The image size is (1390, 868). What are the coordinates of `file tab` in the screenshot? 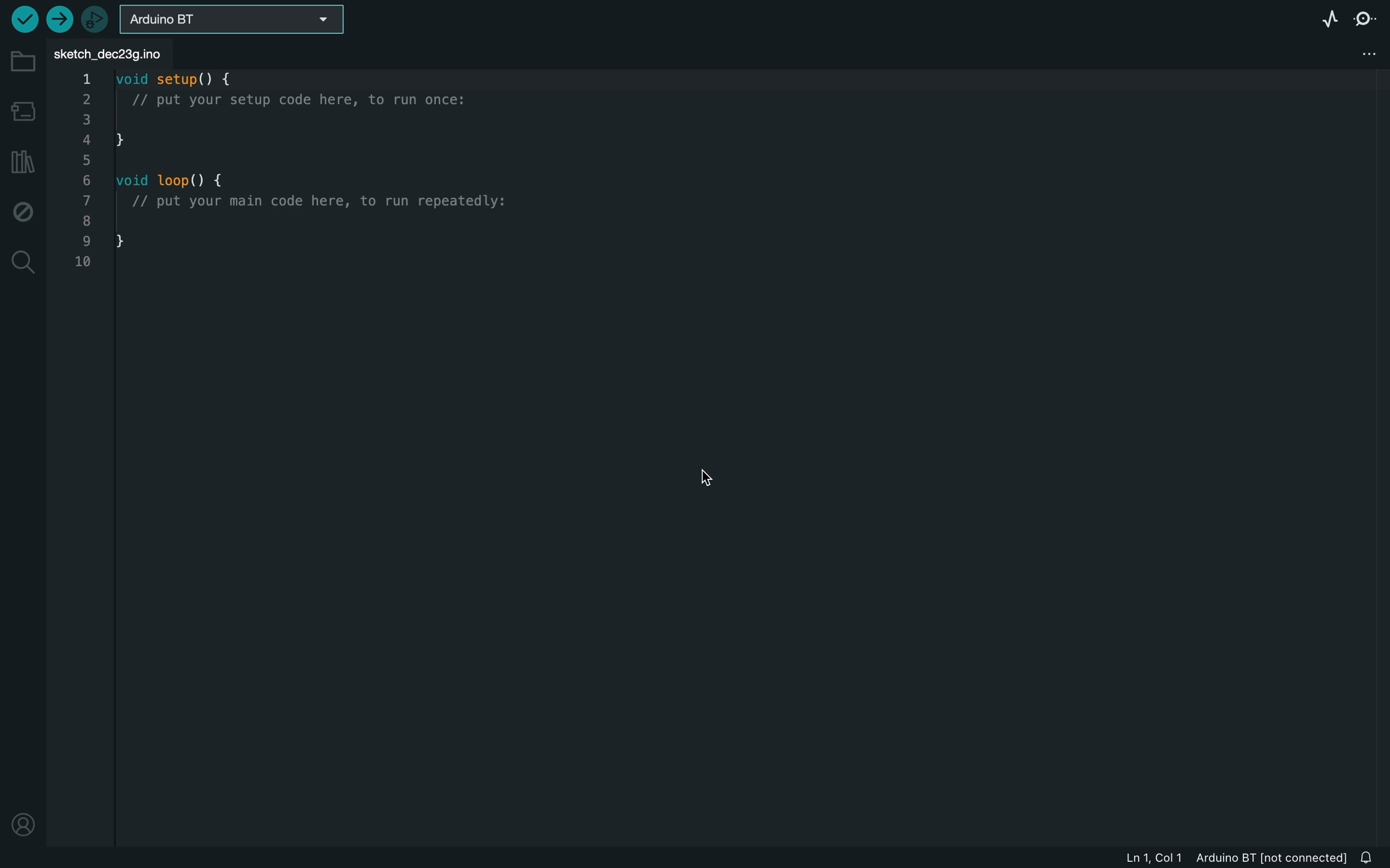 It's located at (111, 52).